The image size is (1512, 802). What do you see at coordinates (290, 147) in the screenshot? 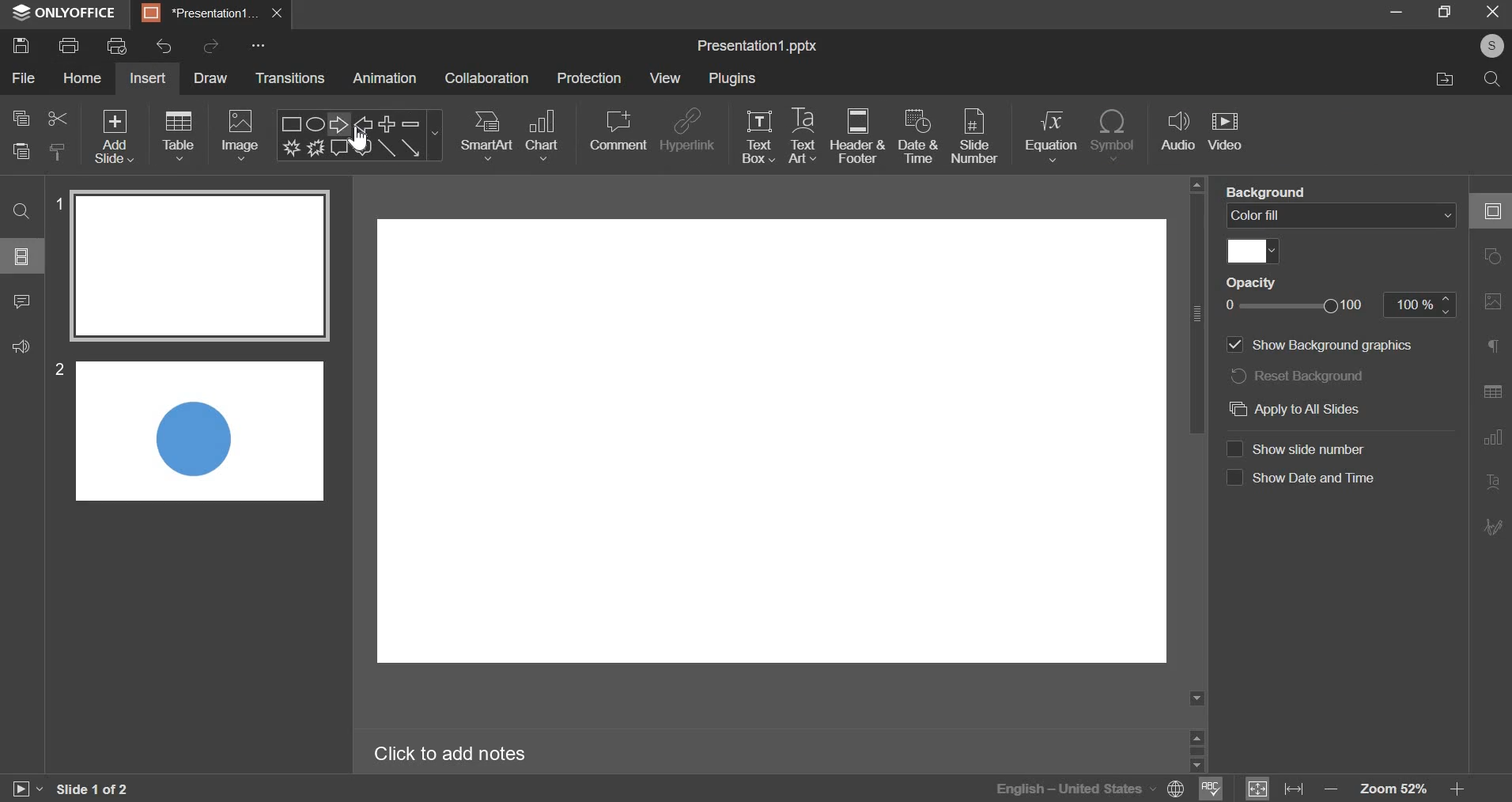
I see `Explosion 1` at bounding box center [290, 147].